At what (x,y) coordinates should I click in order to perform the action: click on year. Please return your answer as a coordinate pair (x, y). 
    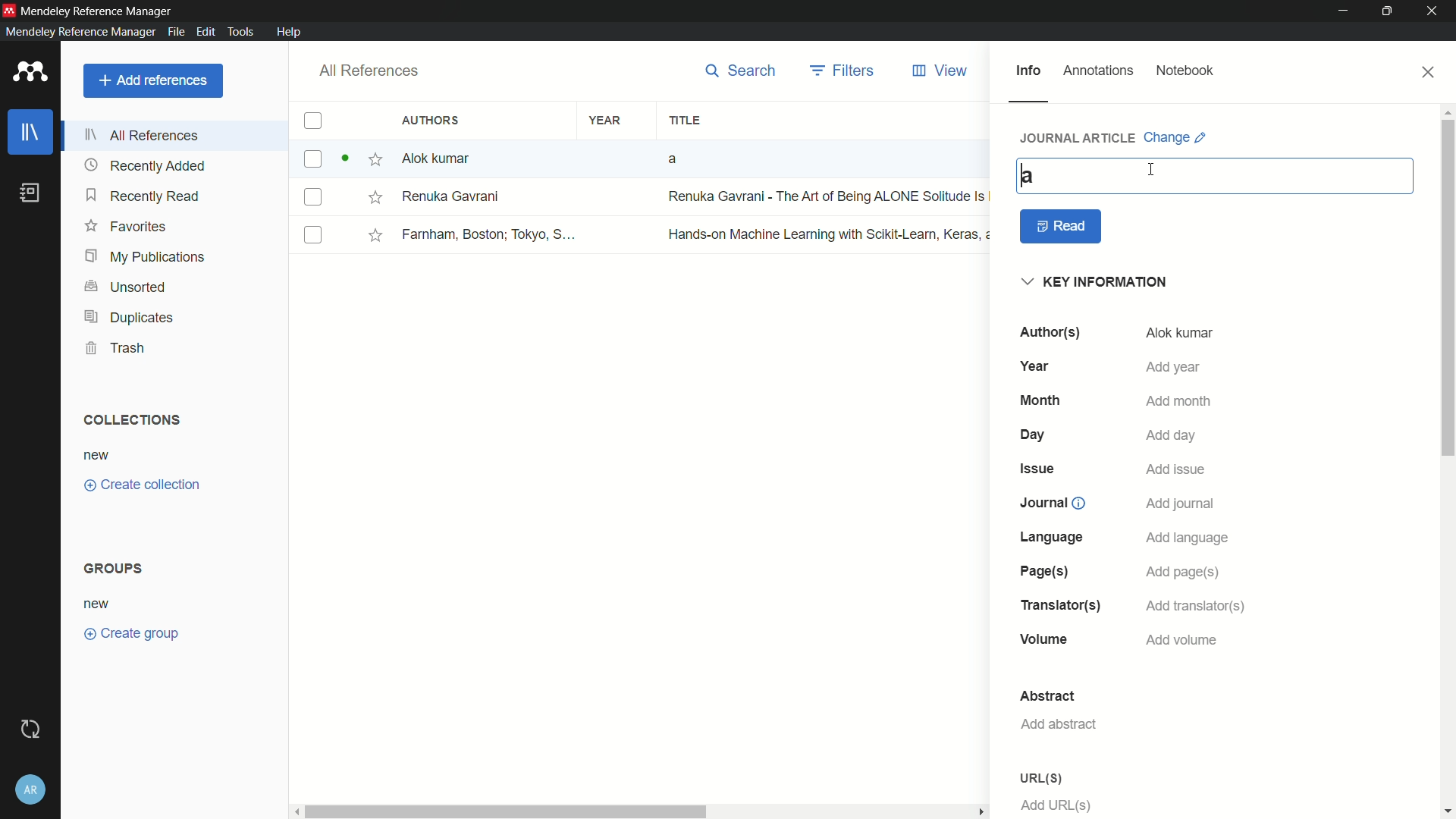
    Looking at the image, I should click on (606, 121).